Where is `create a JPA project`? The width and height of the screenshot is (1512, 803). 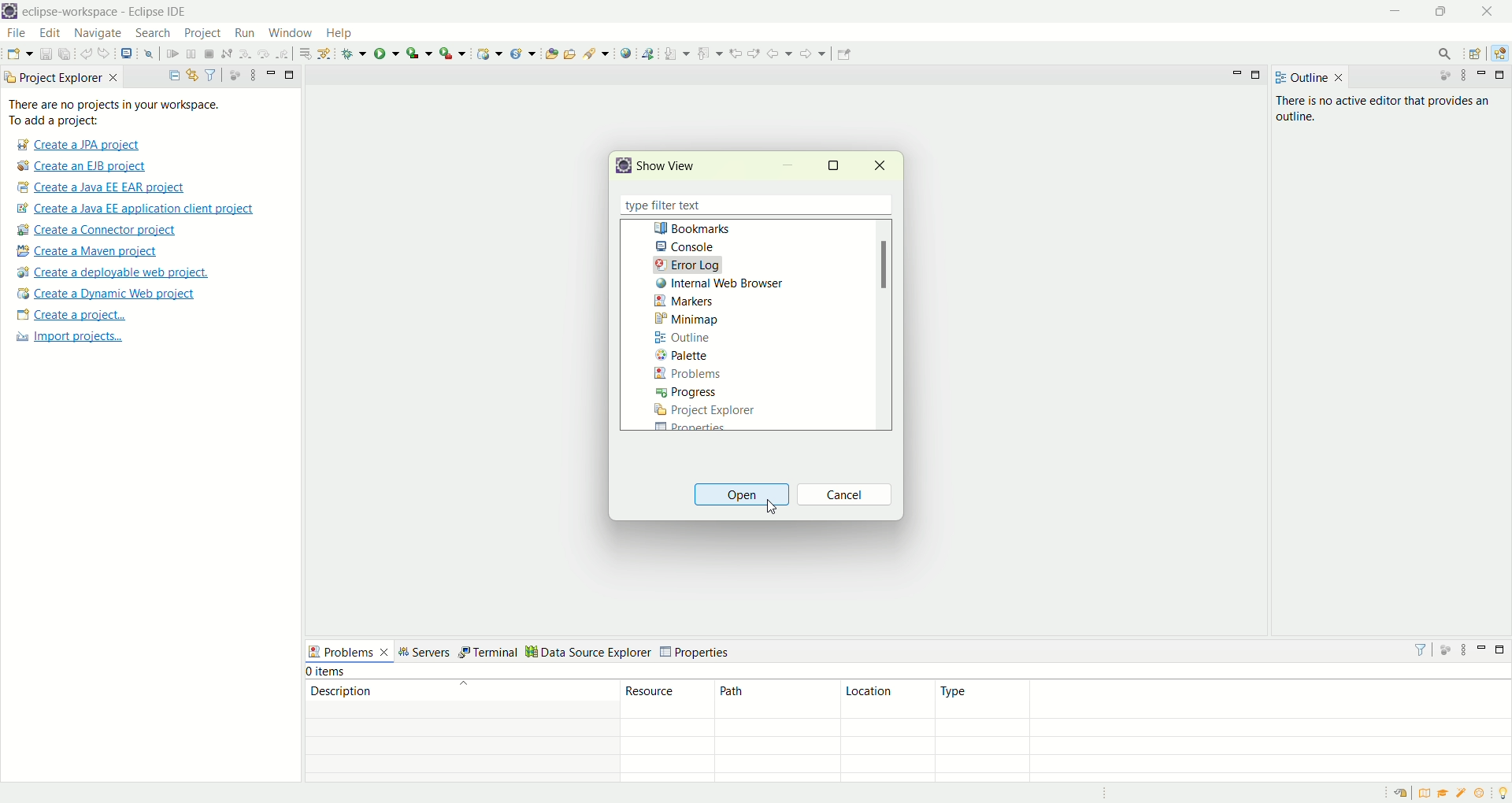 create a JPA project is located at coordinates (76, 146).